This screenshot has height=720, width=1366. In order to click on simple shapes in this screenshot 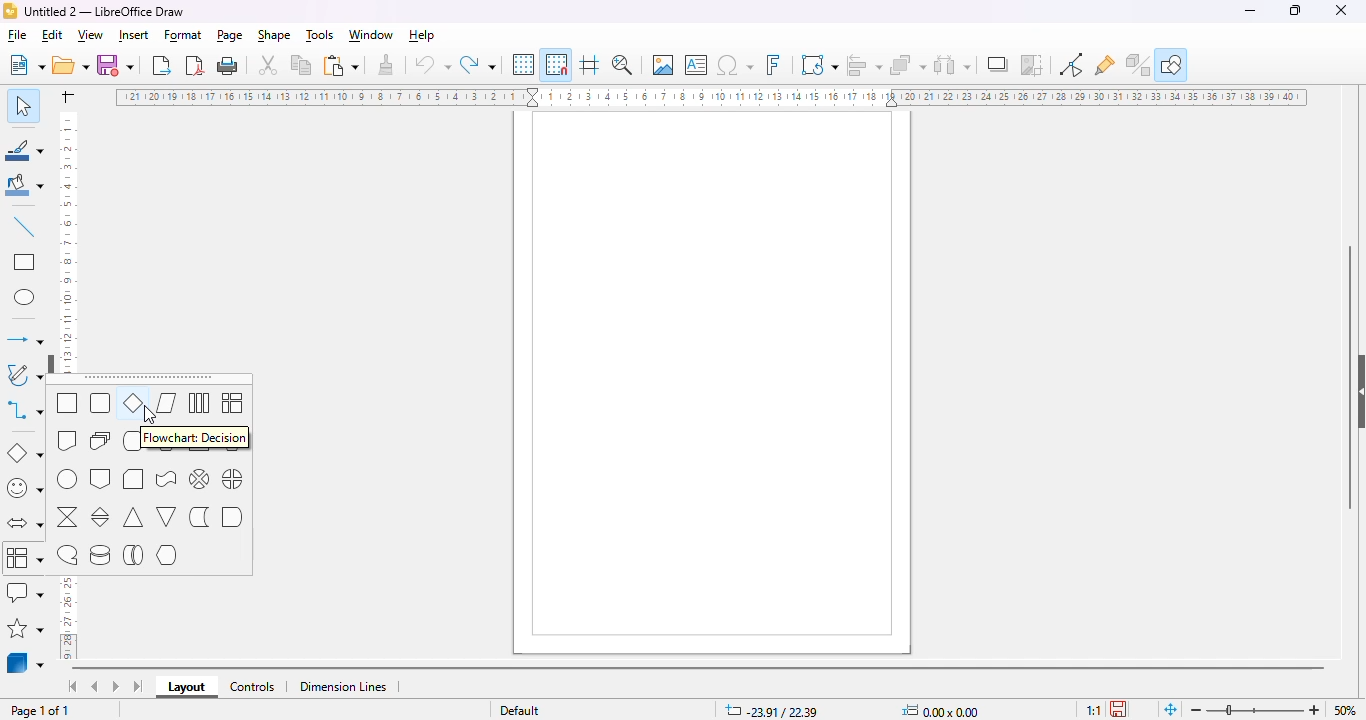, I will do `click(26, 488)`.